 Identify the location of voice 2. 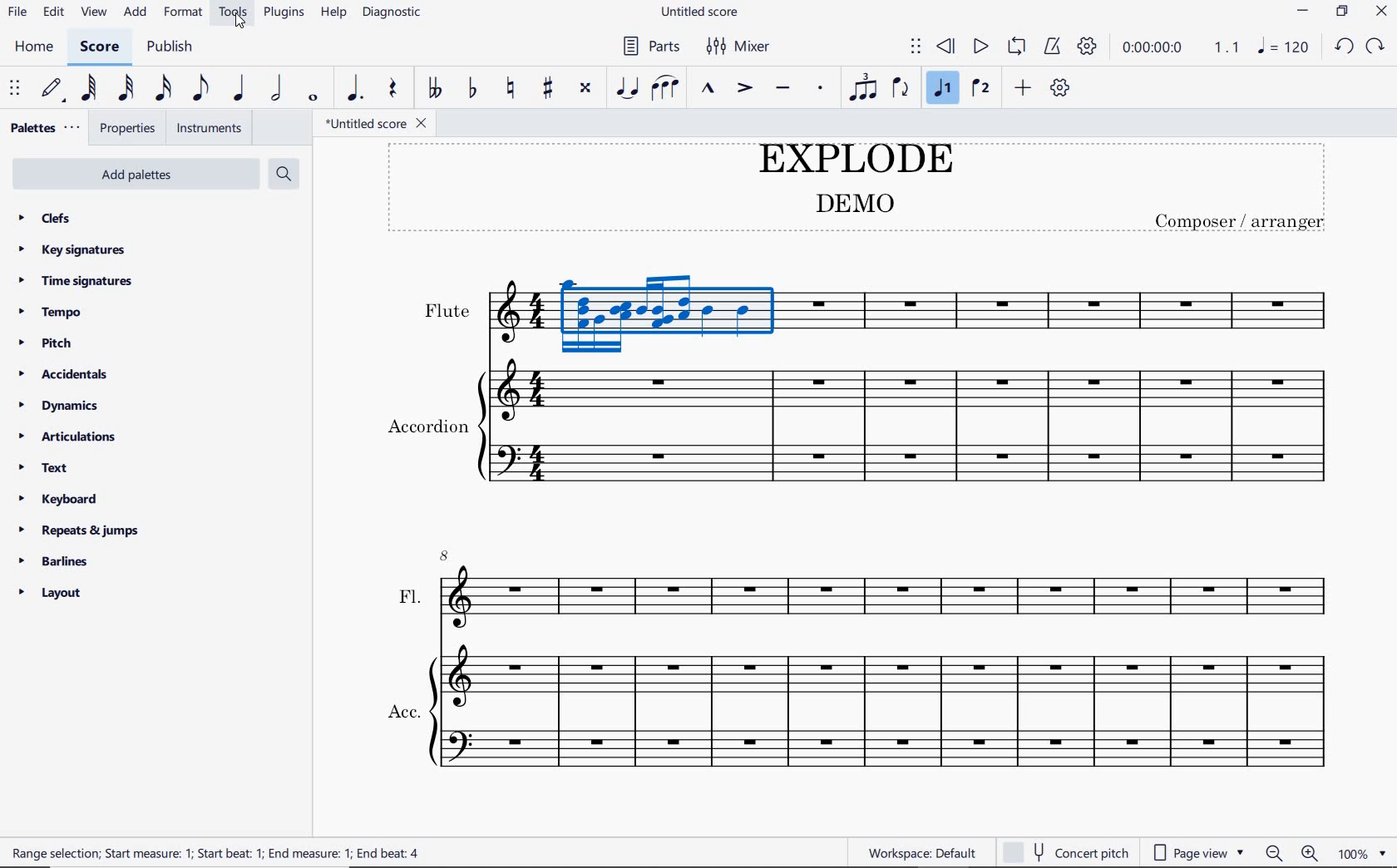
(976, 88).